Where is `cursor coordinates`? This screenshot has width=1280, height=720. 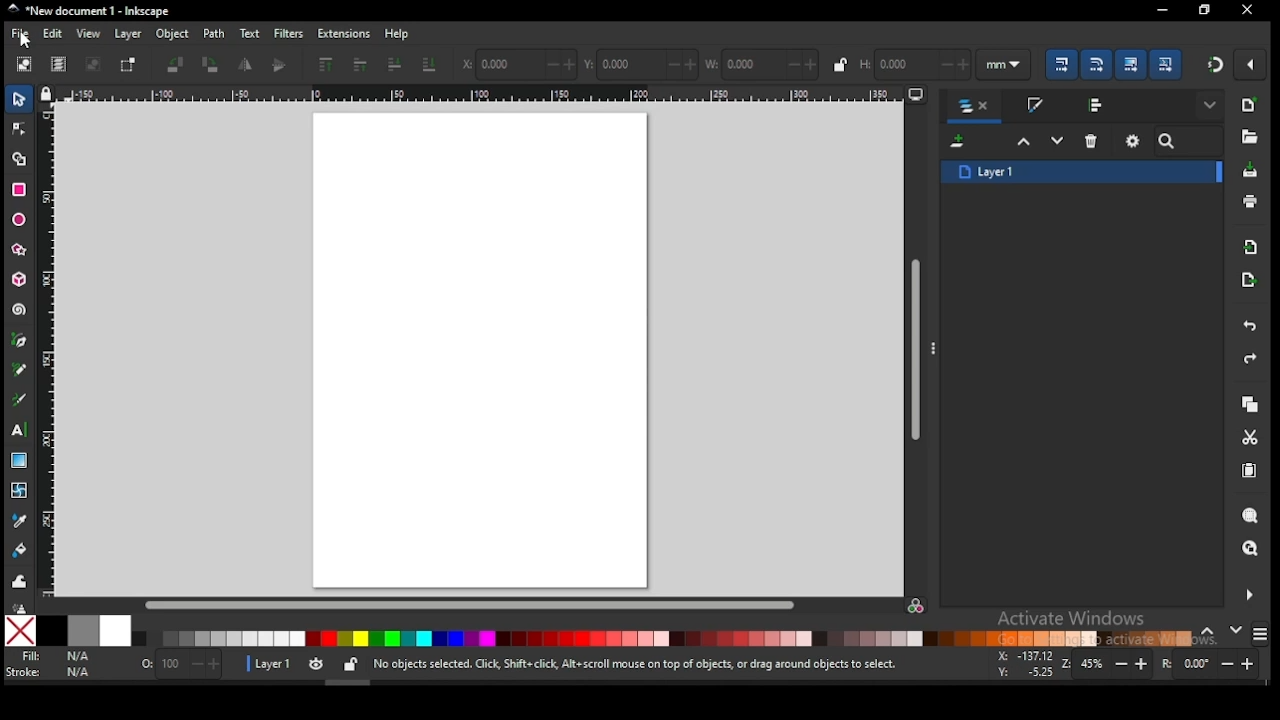 cursor coordinates is located at coordinates (1023, 662).